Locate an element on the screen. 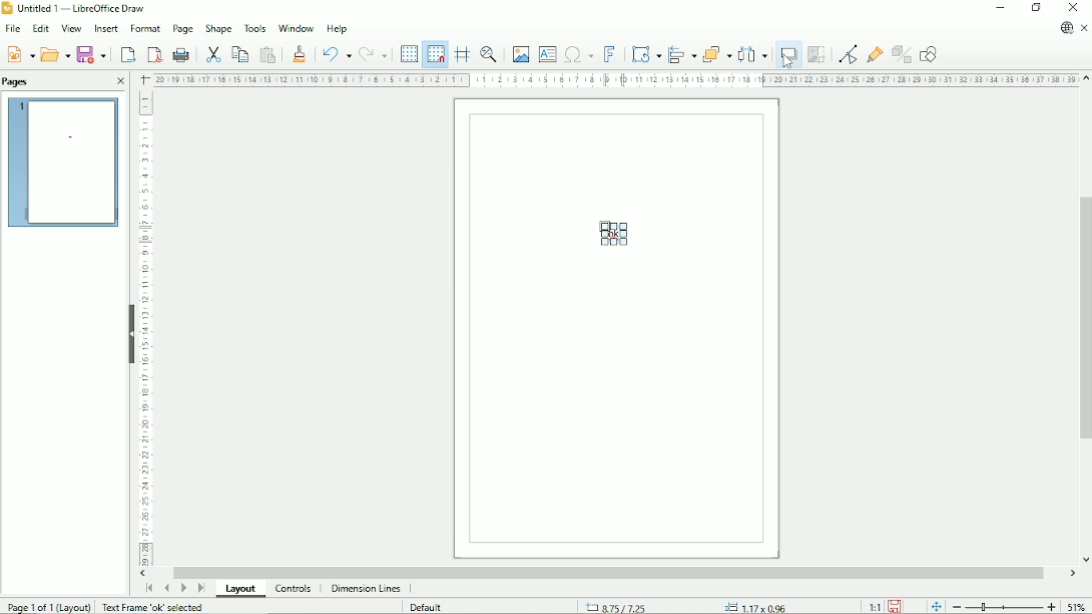 This screenshot has height=614, width=1092. Vertical scroll button is located at coordinates (1085, 79).